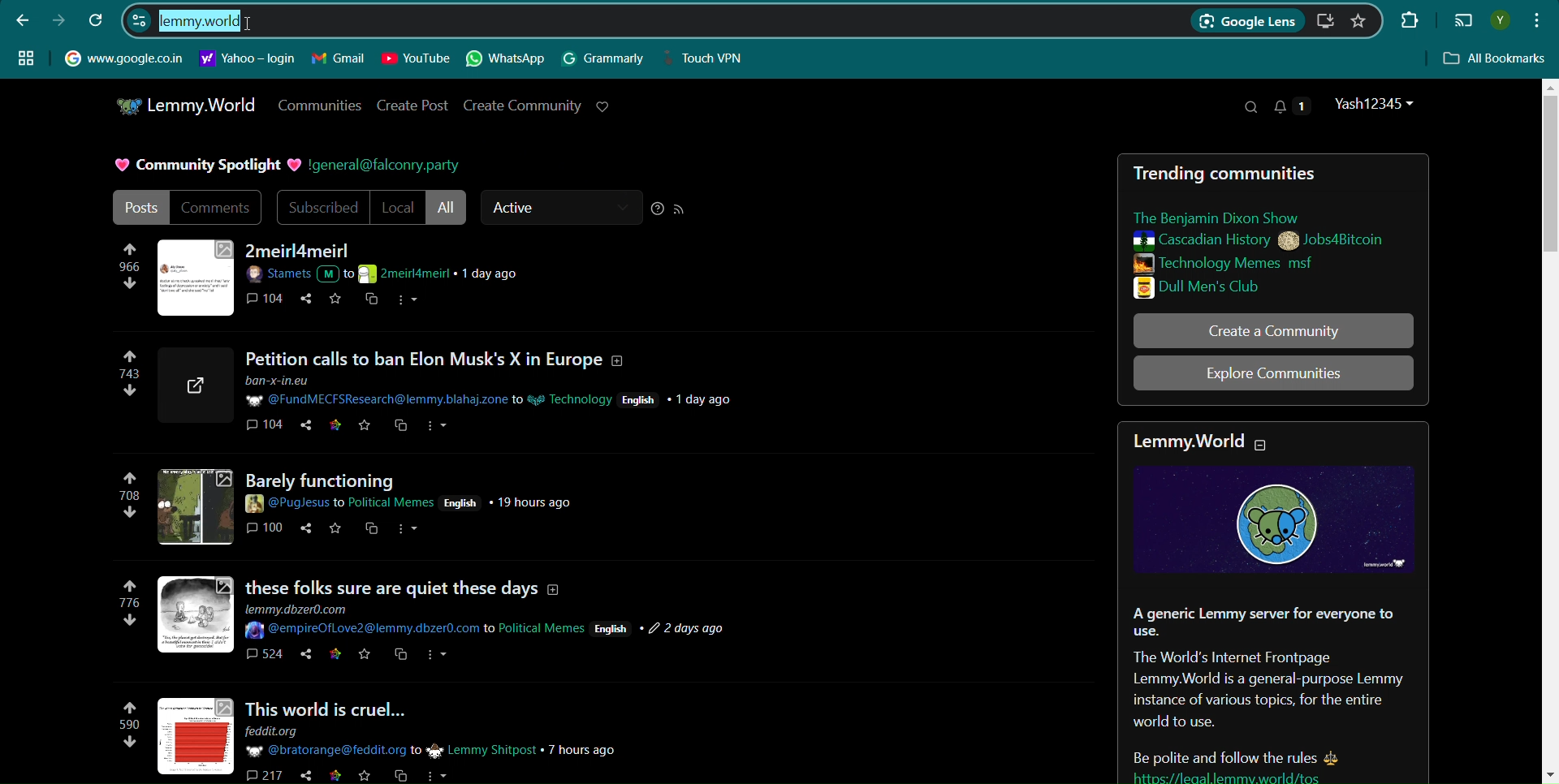  Describe the element at coordinates (1262, 622) in the screenshot. I see `A generic Lemmy server for everyone to use.` at that location.